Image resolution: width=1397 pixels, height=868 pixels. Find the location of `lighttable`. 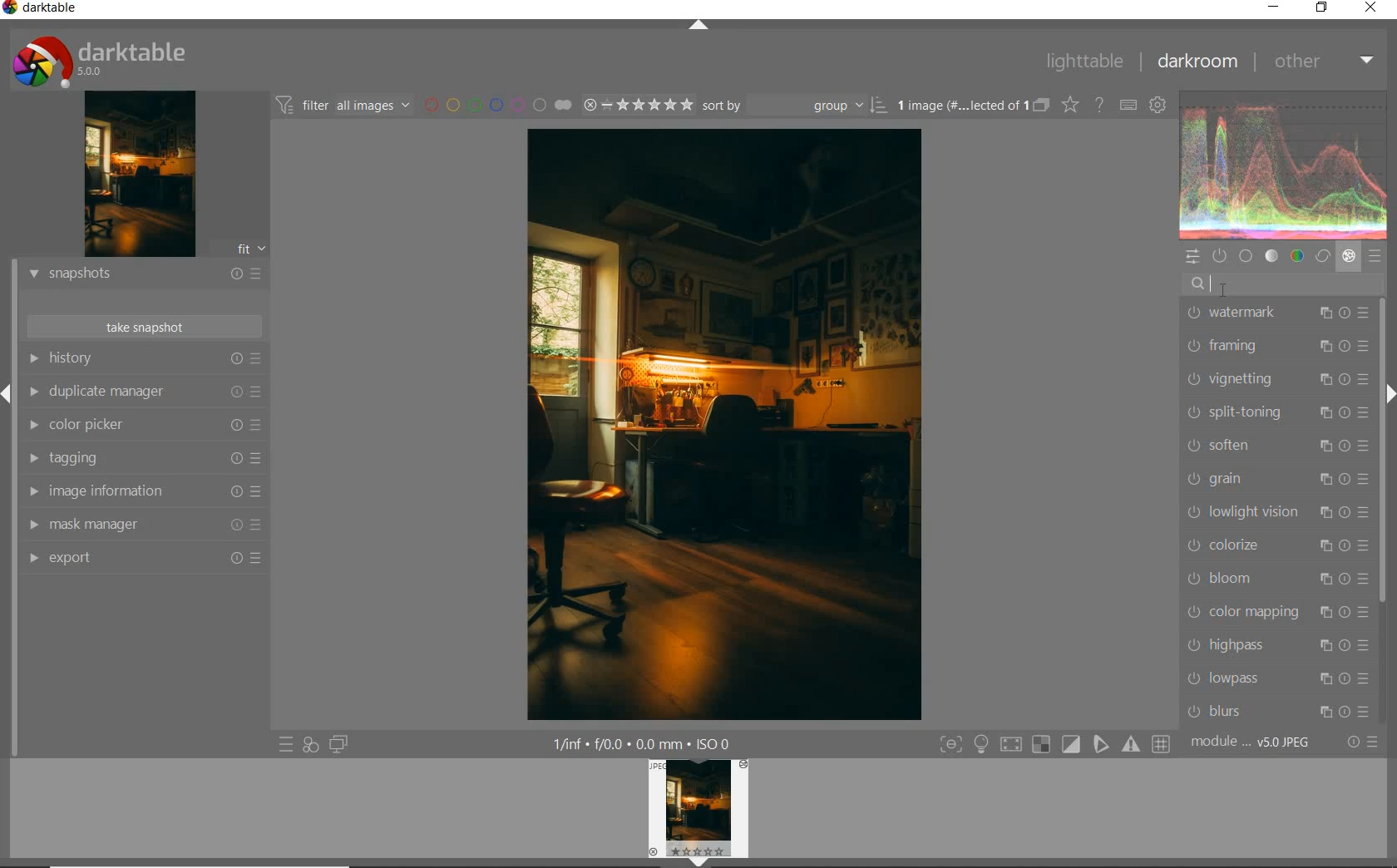

lighttable is located at coordinates (1087, 61).